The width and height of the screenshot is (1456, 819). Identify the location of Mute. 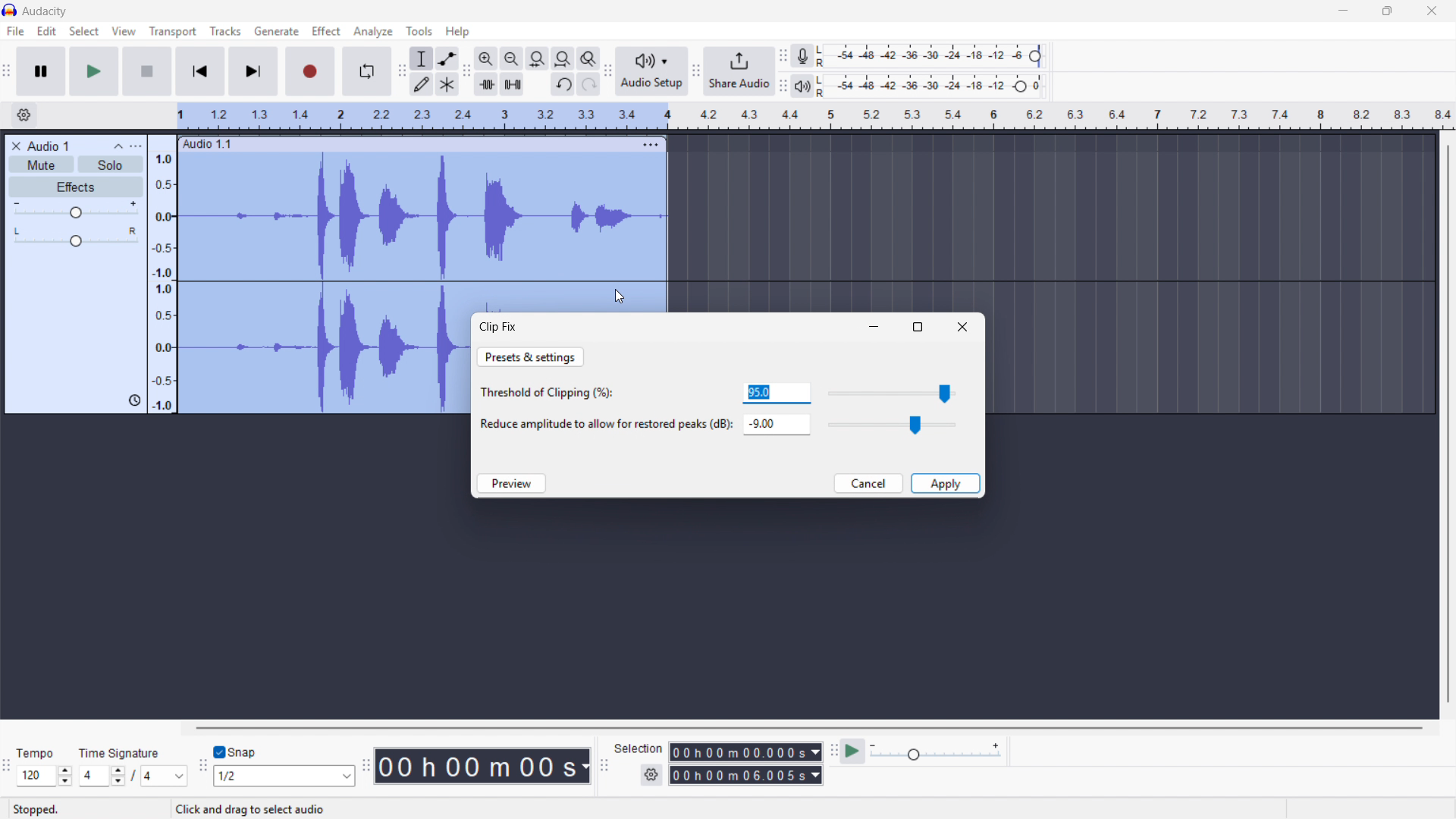
(42, 165).